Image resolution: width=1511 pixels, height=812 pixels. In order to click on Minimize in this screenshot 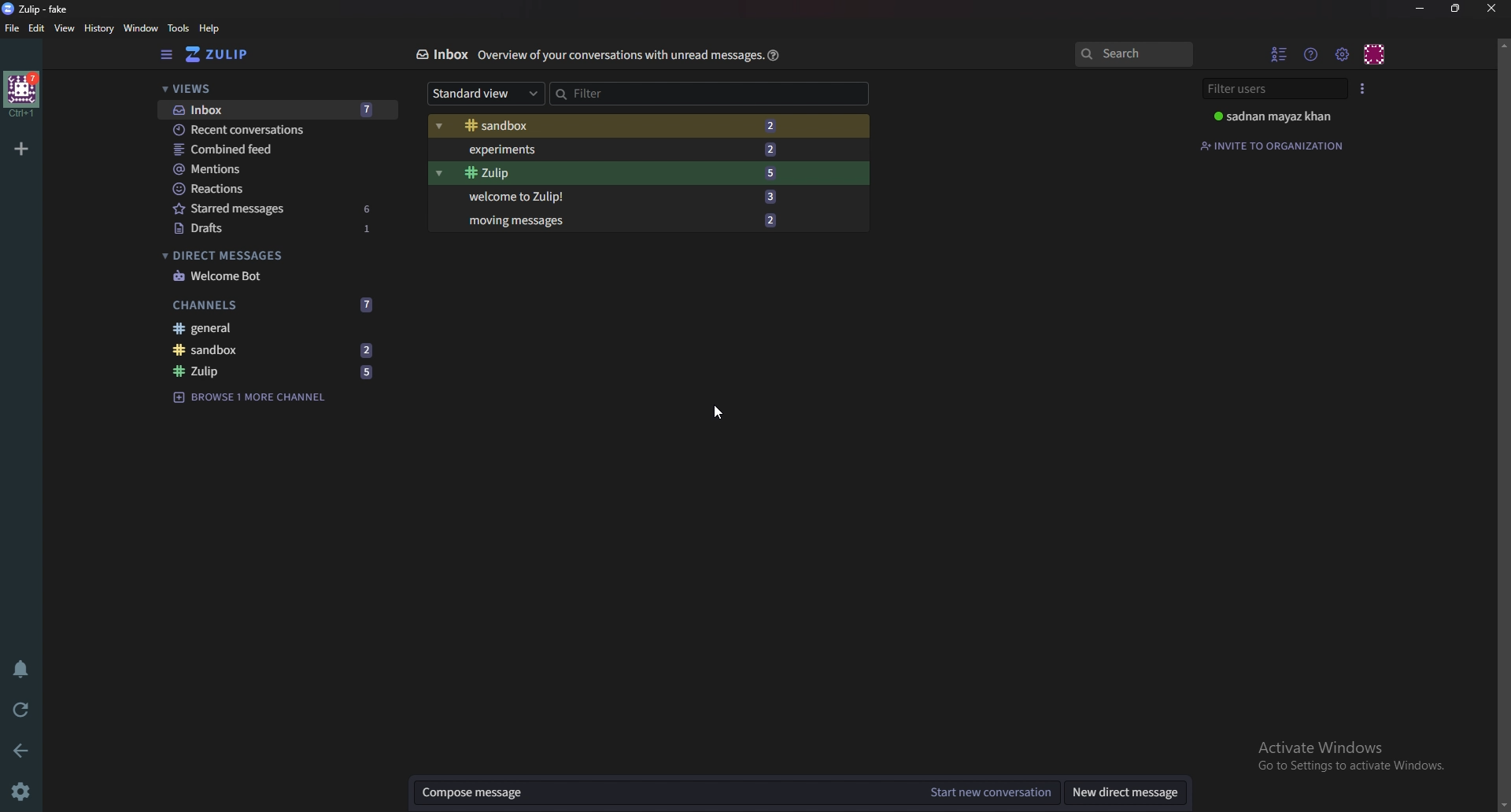, I will do `click(1420, 9)`.